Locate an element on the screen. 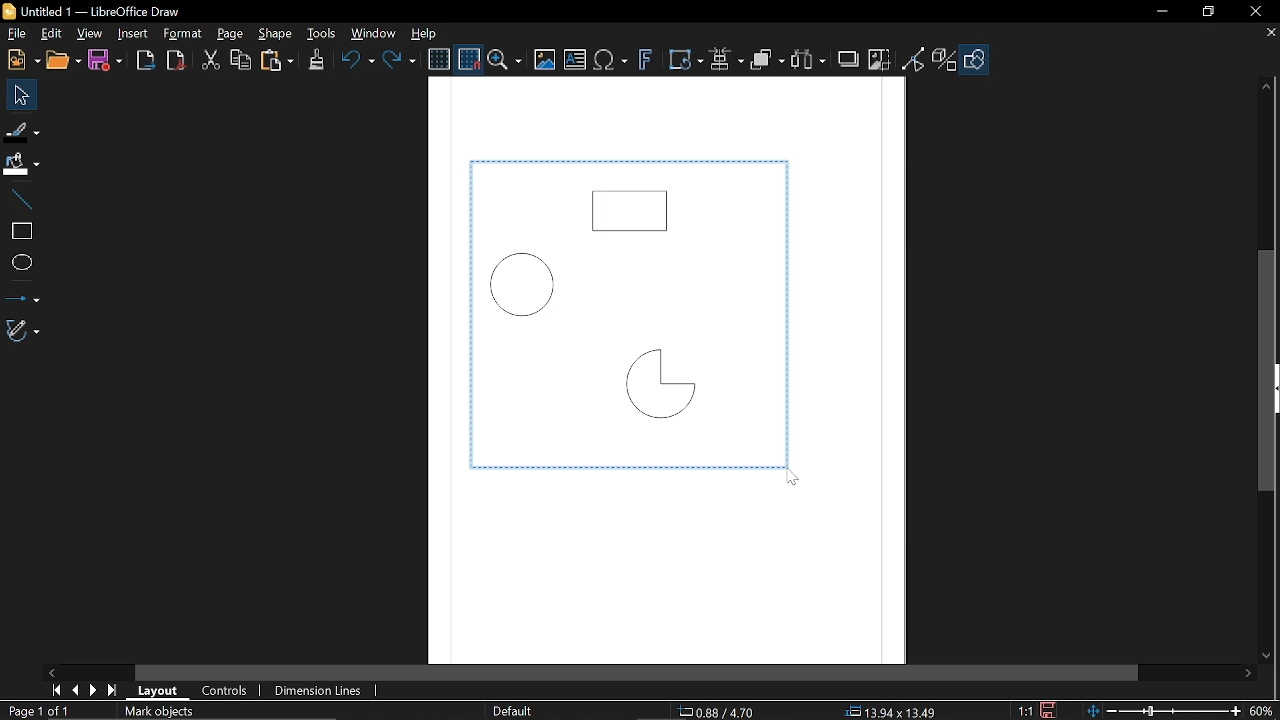  close tab is located at coordinates (1272, 39).